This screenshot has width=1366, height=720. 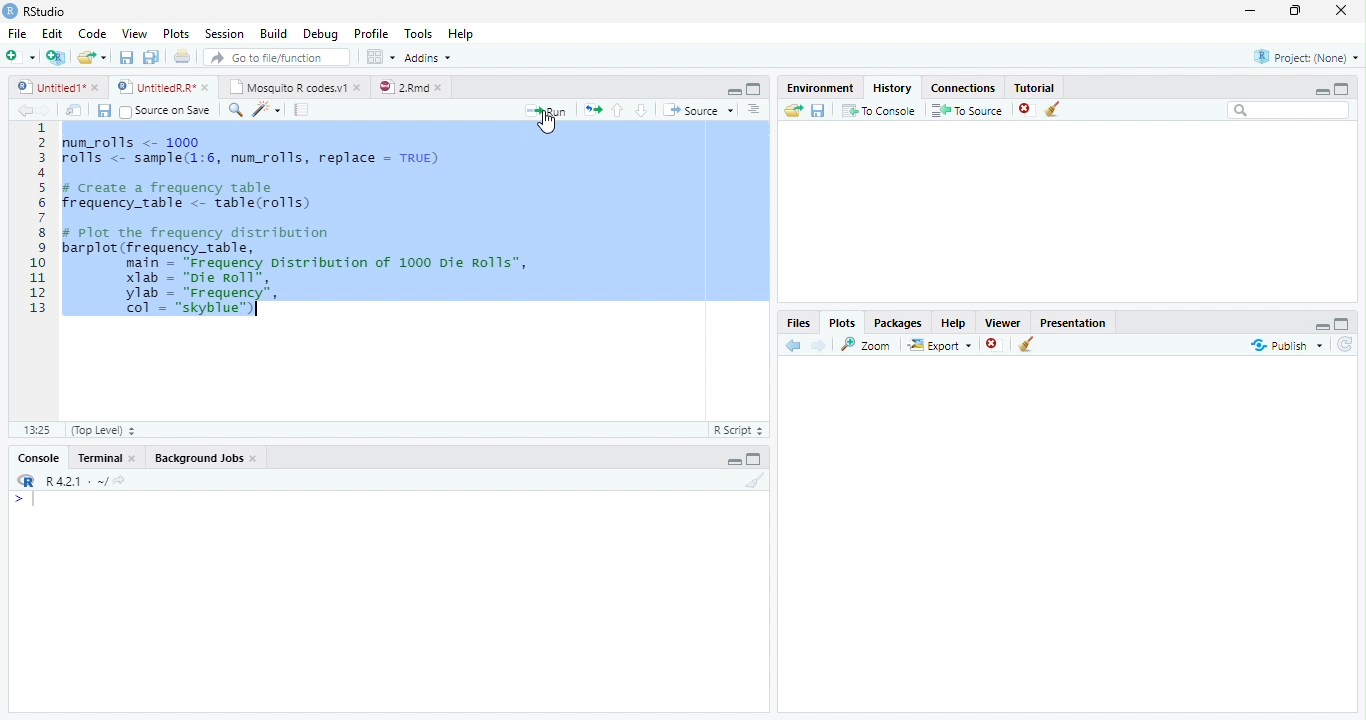 I want to click on File, so click(x=18, y=31).